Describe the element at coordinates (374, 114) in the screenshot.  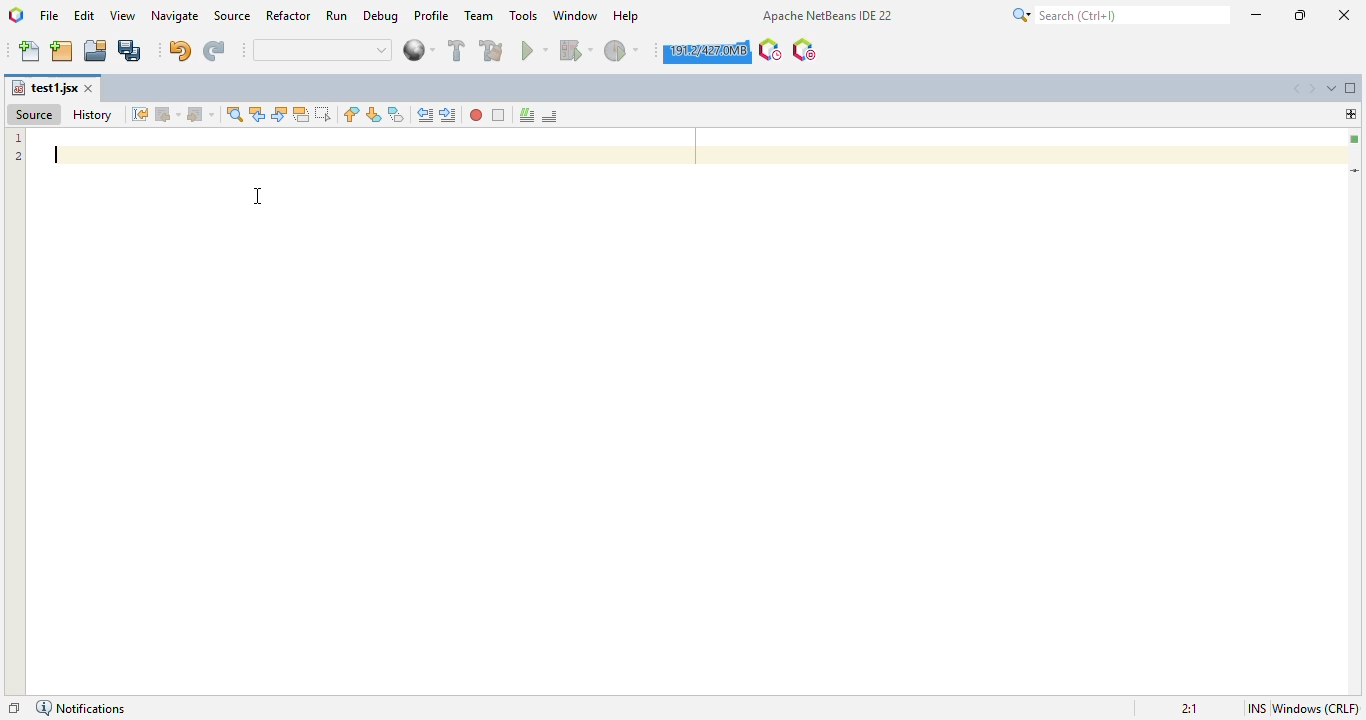
I see `next bookmark` at that location.